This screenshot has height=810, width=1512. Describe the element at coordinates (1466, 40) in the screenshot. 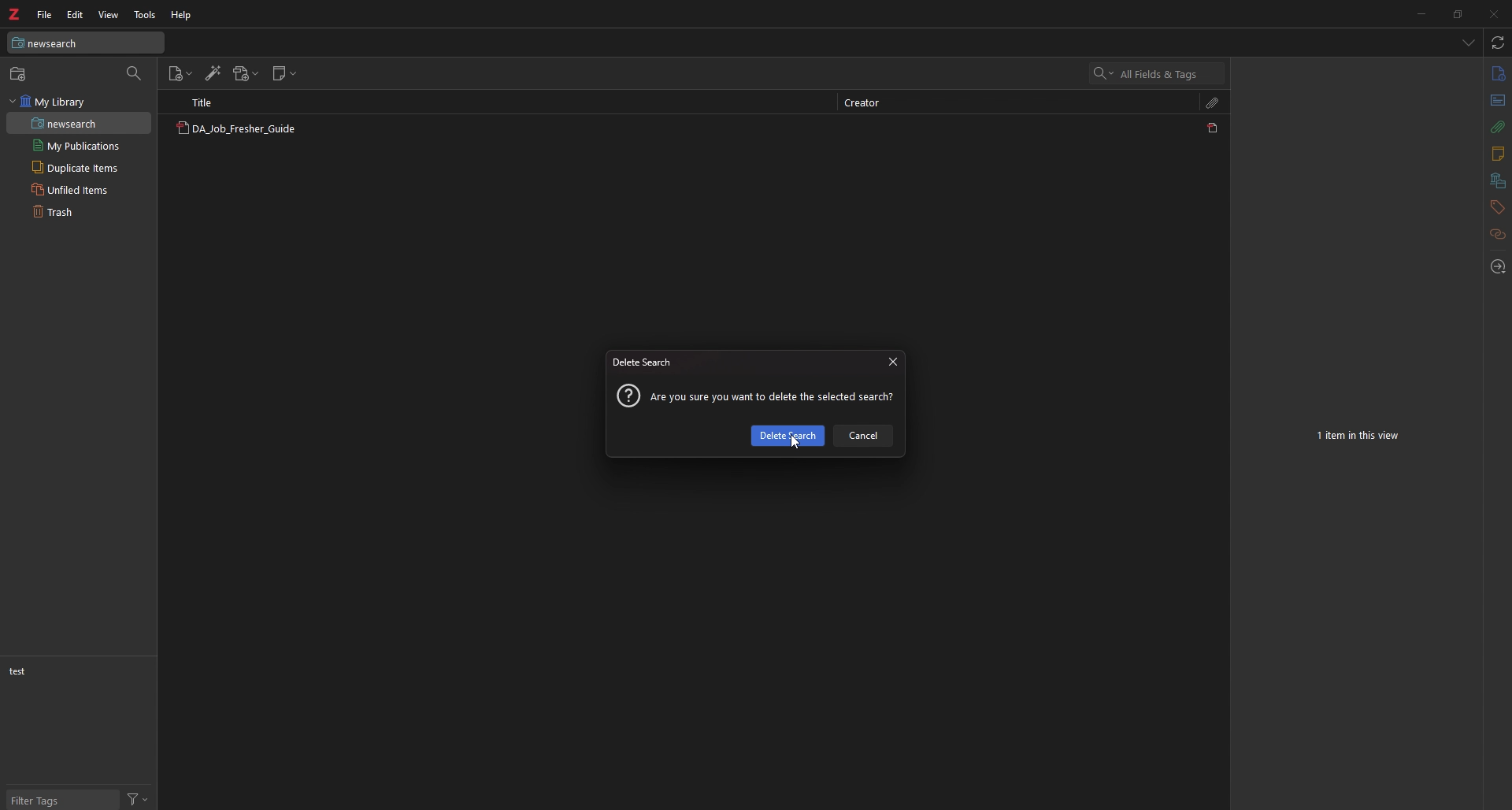

I see `List all tabs` at that location.